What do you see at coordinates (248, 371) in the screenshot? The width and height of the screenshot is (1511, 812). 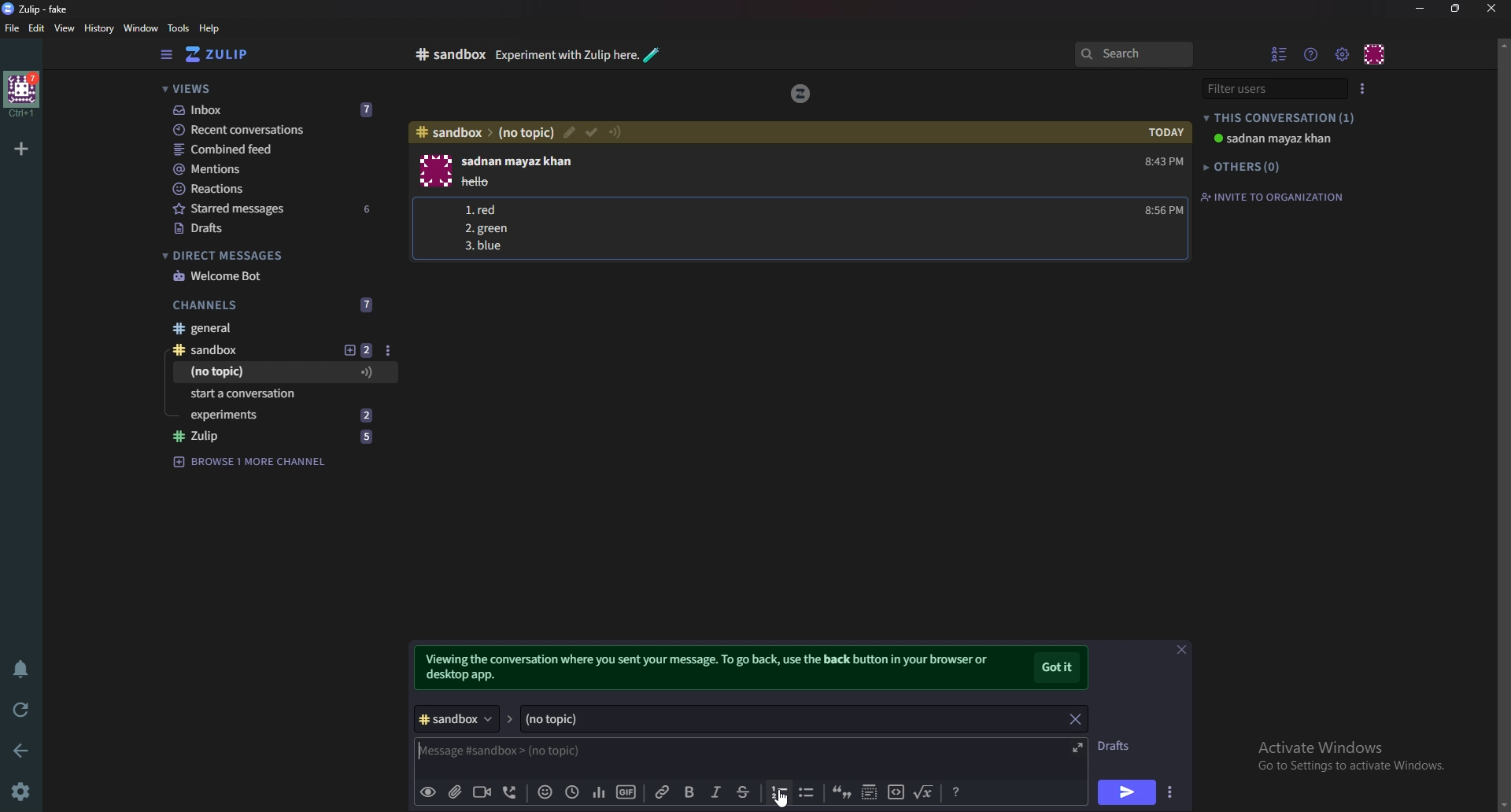 I see `topic` at bounding box center [248, 371].